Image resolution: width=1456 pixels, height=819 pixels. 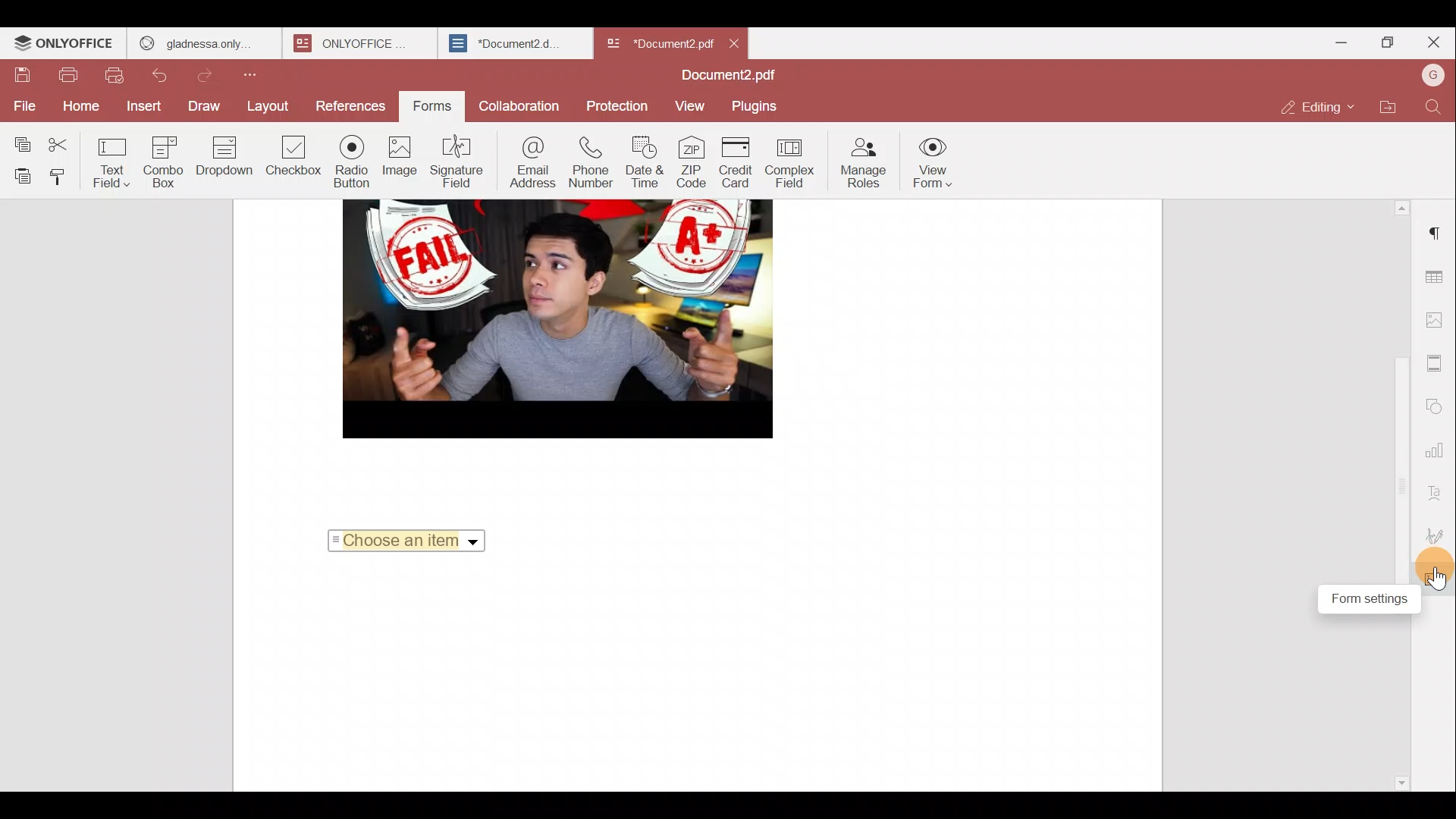 What do you see at coordinates (1429, 80) in the screenshot?
I see `Account name` at bounding box center [1429, 80].